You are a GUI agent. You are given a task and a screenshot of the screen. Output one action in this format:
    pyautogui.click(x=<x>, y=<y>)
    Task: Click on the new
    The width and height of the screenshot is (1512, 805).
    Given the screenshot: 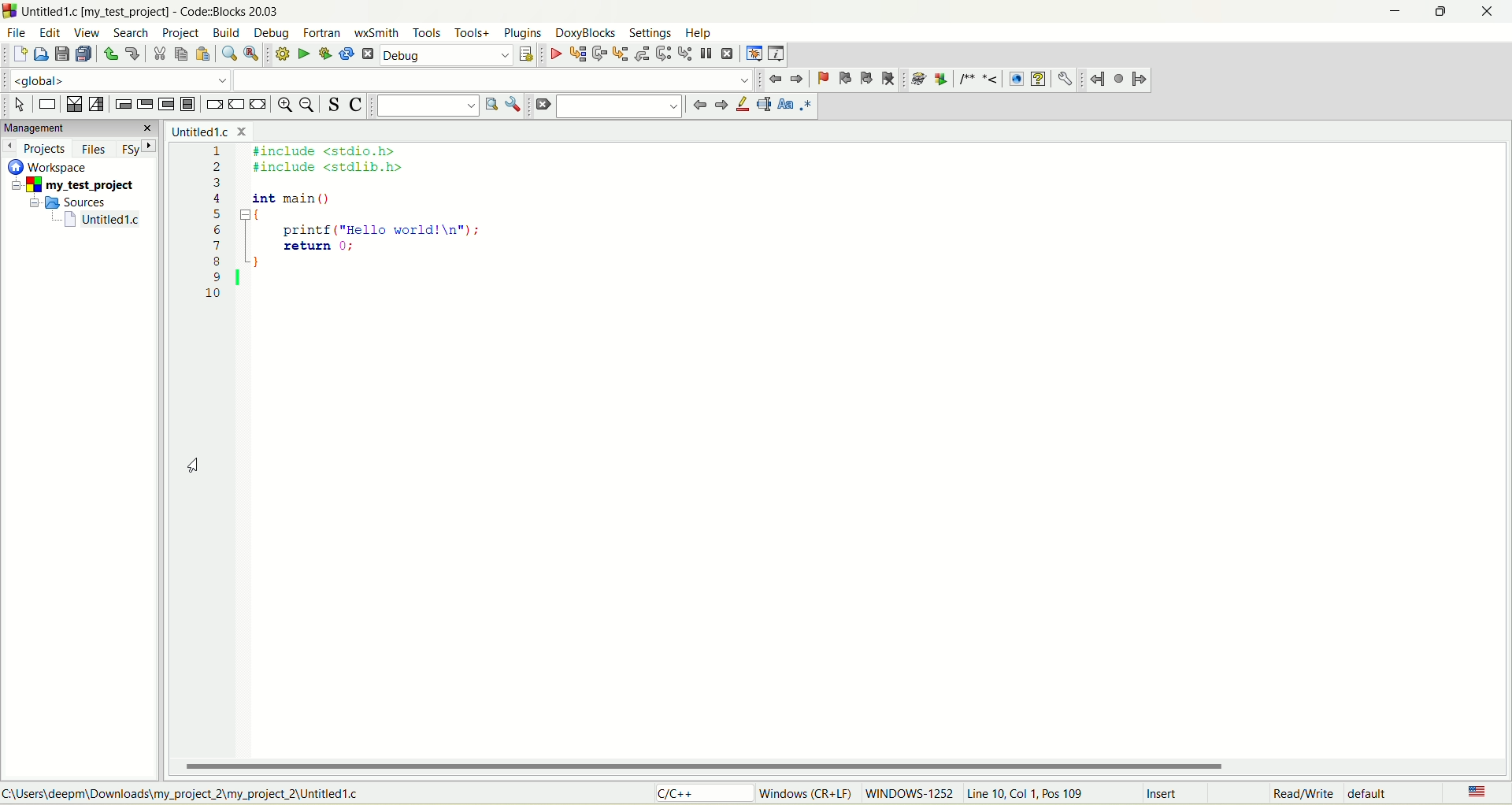 What is the action you would take?
    pyautogui.click(x=18, y=55)
    